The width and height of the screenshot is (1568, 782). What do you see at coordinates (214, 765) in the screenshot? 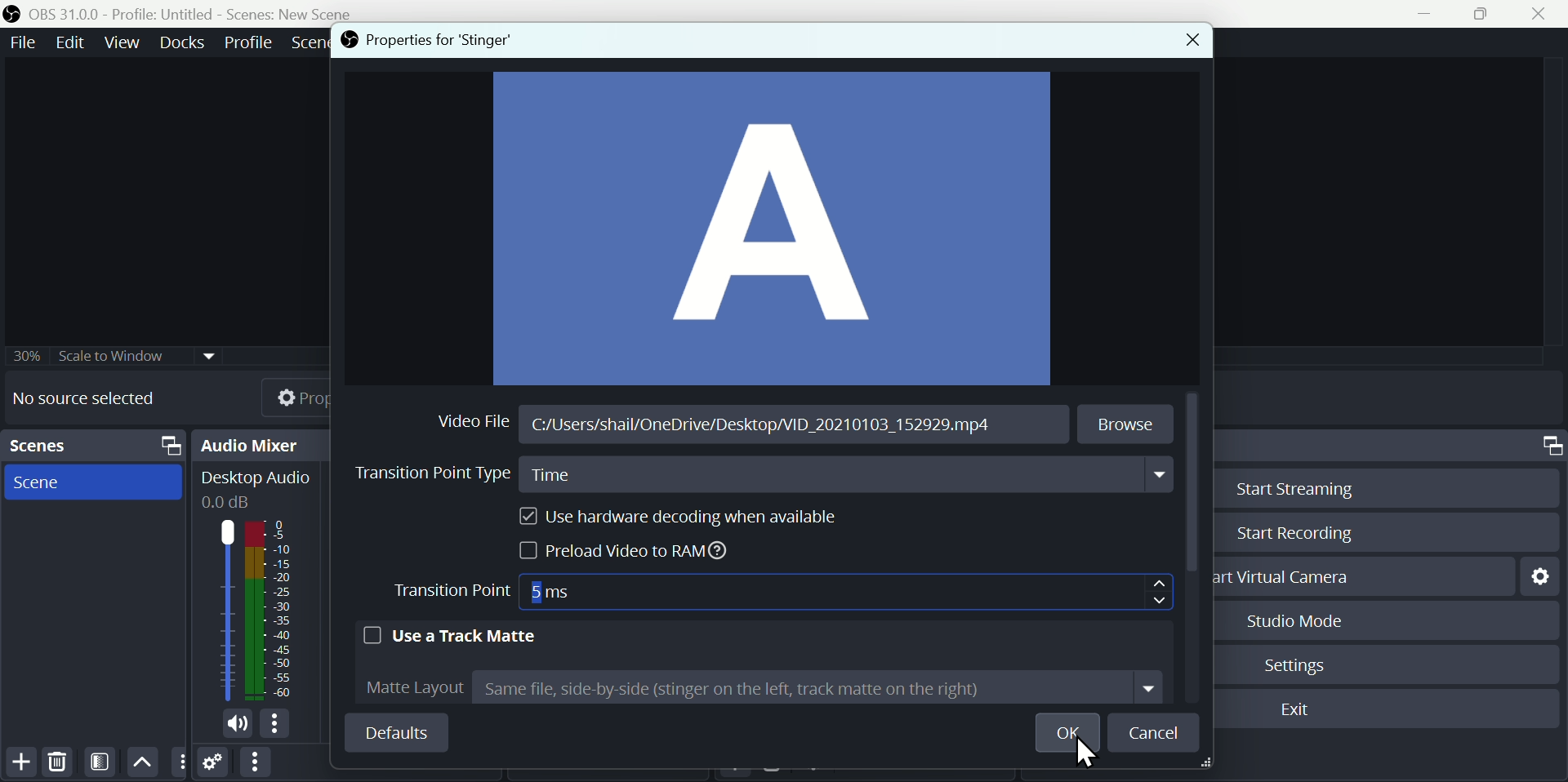
I see `Settings` at bounding box center [214, 765].